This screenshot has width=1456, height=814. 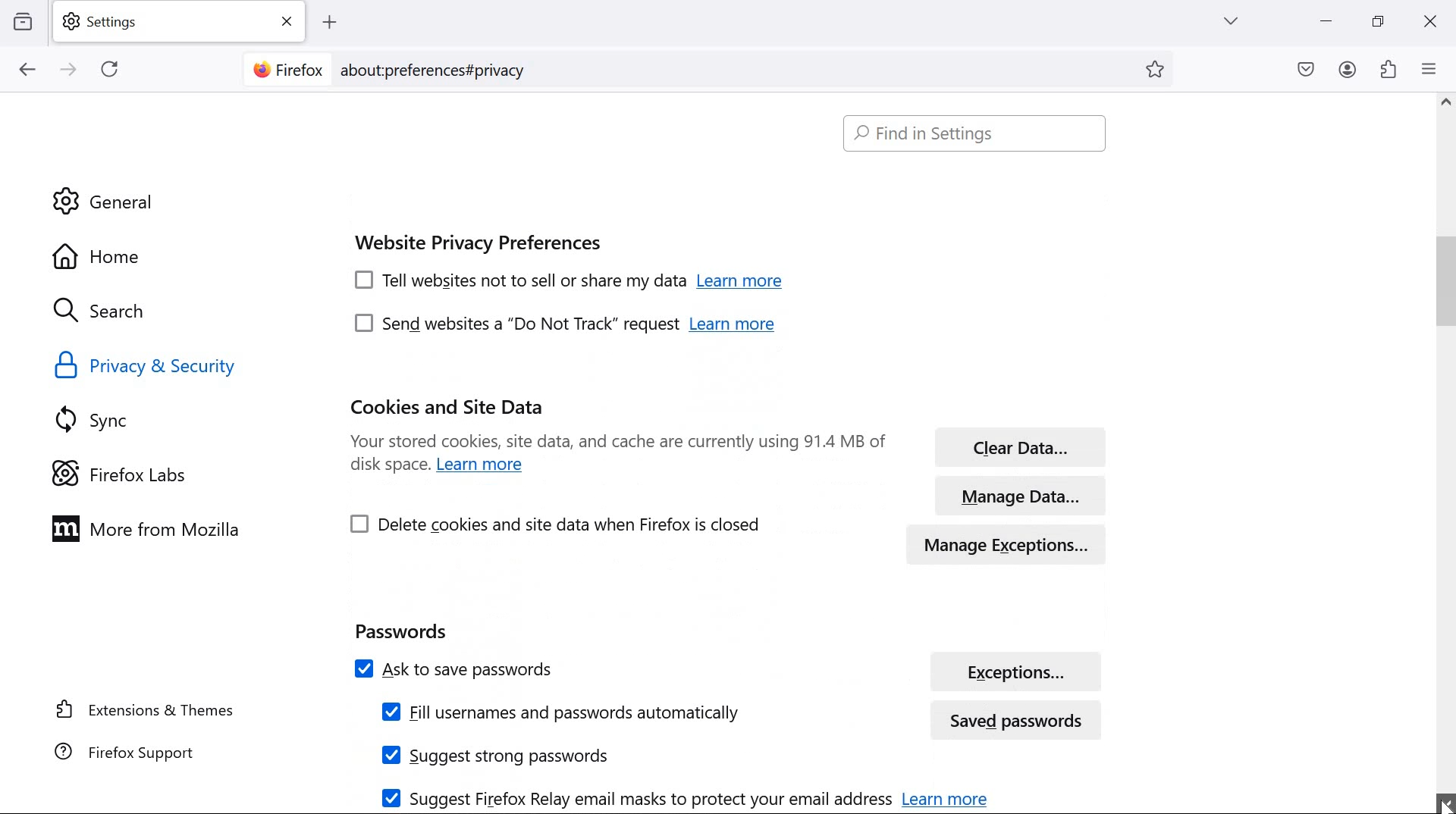 What do you see at coordinates (1447, 453) in the screenshot?
I see `scrollbar` at bounding box center [1447, 453].